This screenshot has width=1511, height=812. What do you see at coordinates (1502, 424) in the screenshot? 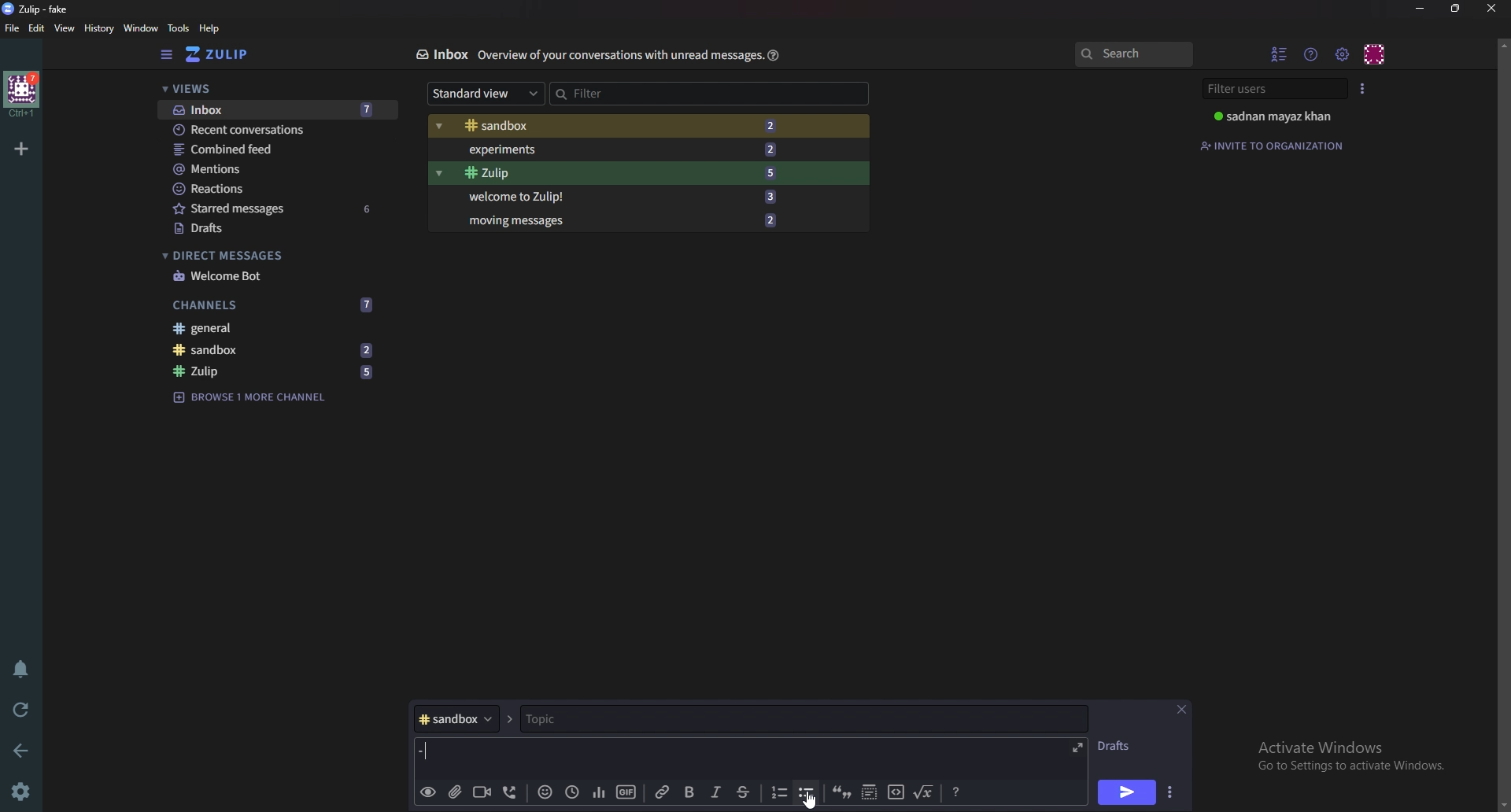
I see `Scroll bar` at bounding box center [1502, 424].